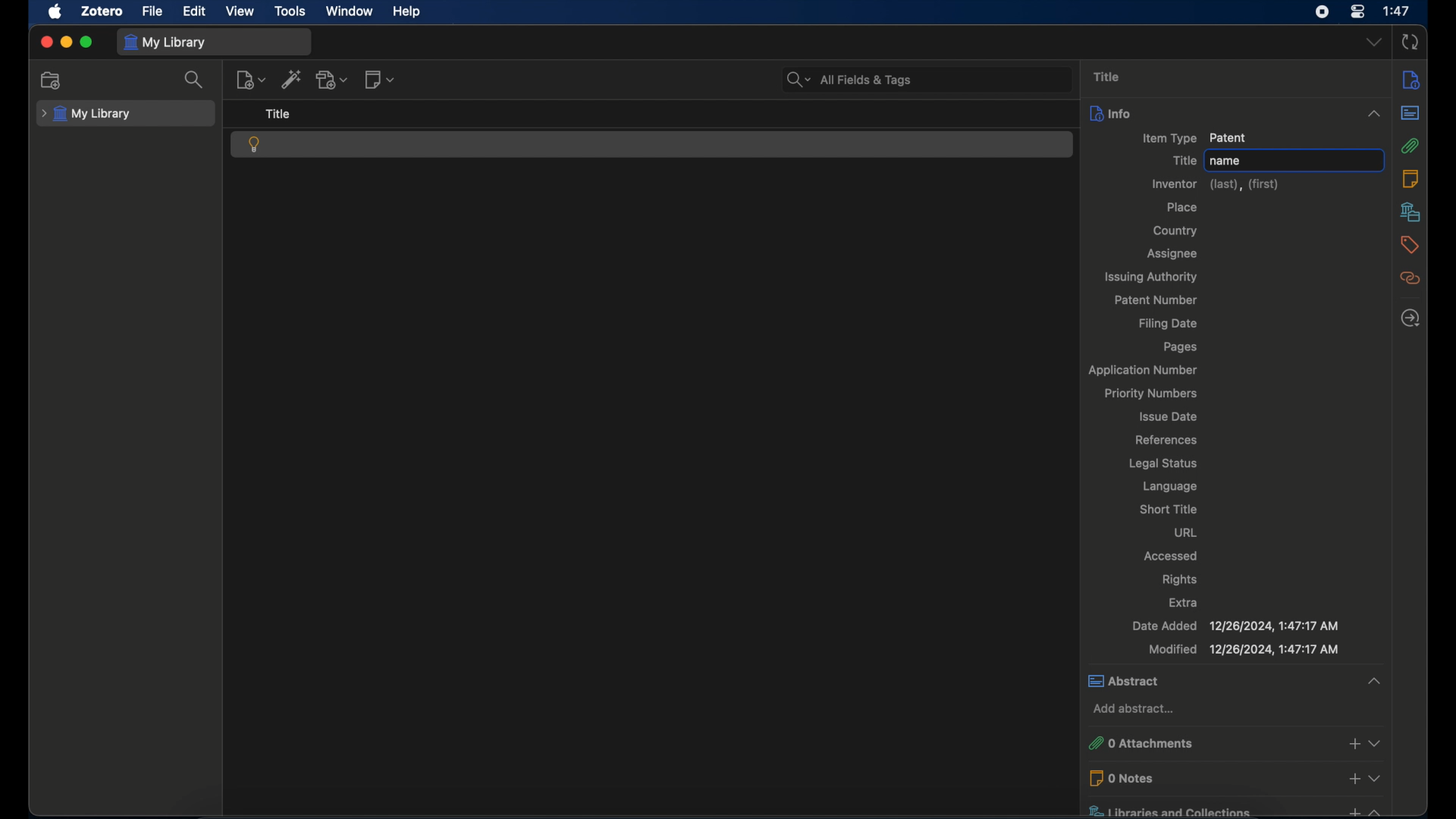 The width and height of the screenshot is (1456, 819). I want to click on country, so click(1178, 231).